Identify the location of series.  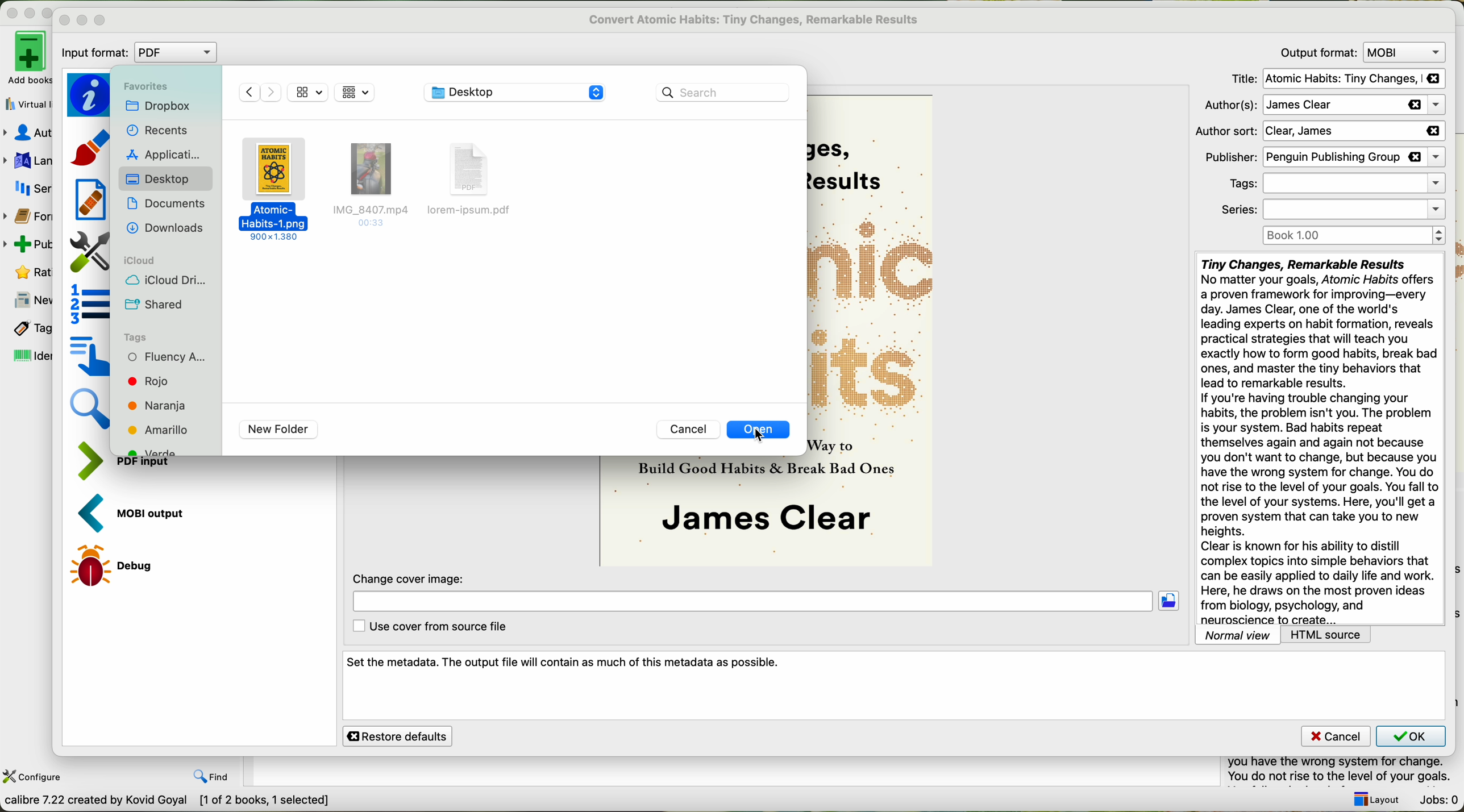
(33, 190).